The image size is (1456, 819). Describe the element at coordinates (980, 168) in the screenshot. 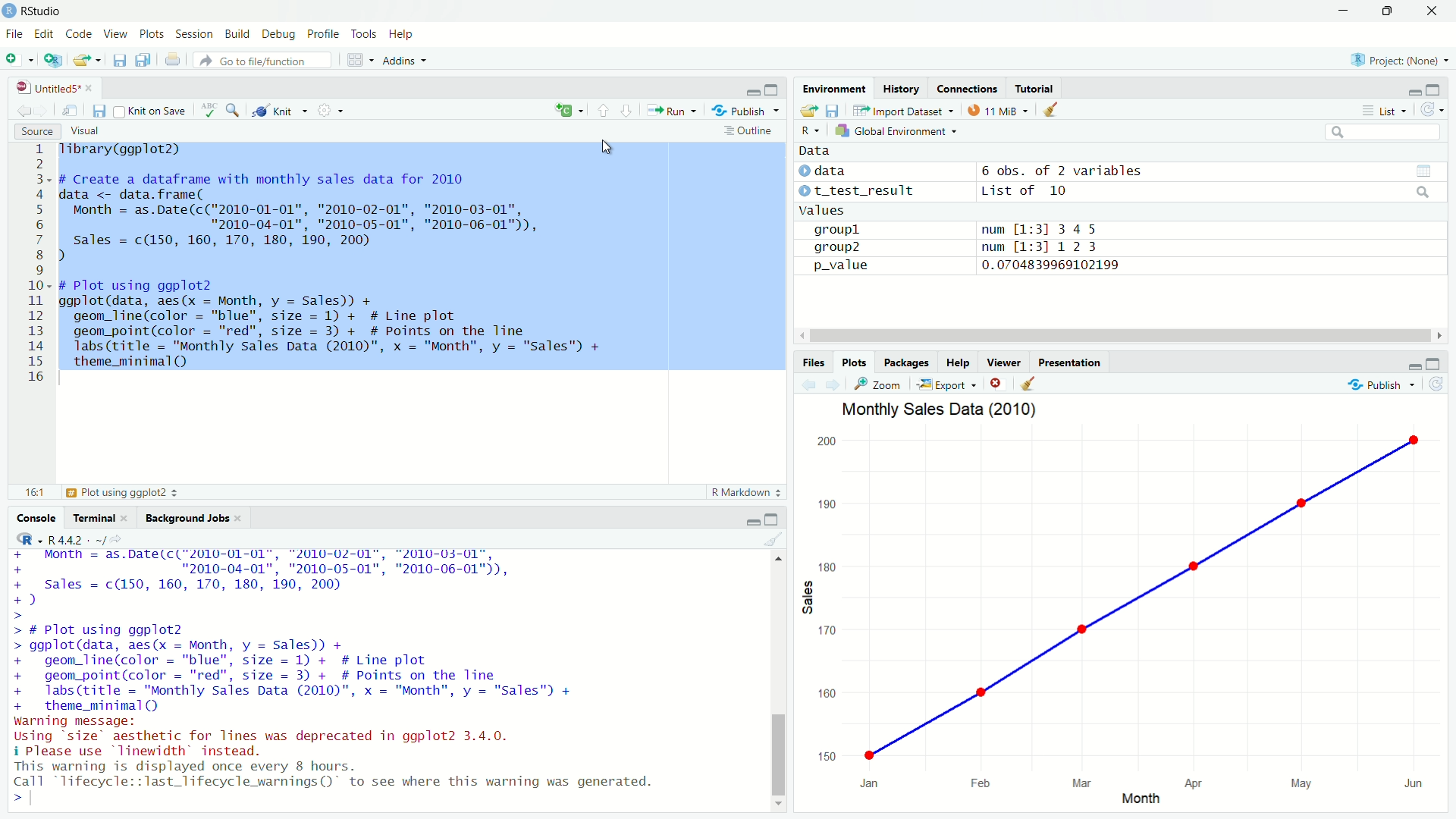

I see `©Odata 6 obs. of 2 variables` at that location.